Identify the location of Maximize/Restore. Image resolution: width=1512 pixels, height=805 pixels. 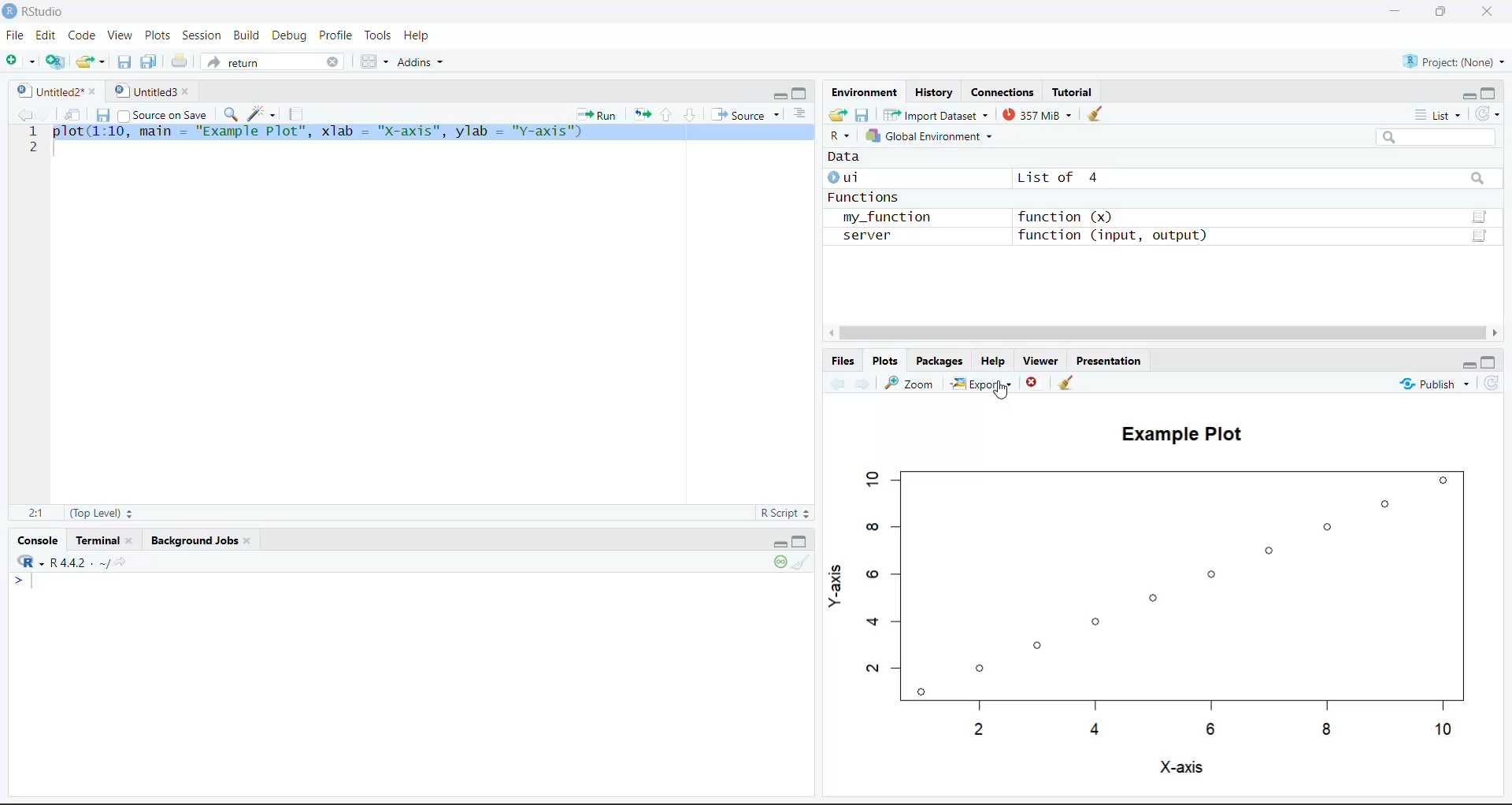
(1443, 13).